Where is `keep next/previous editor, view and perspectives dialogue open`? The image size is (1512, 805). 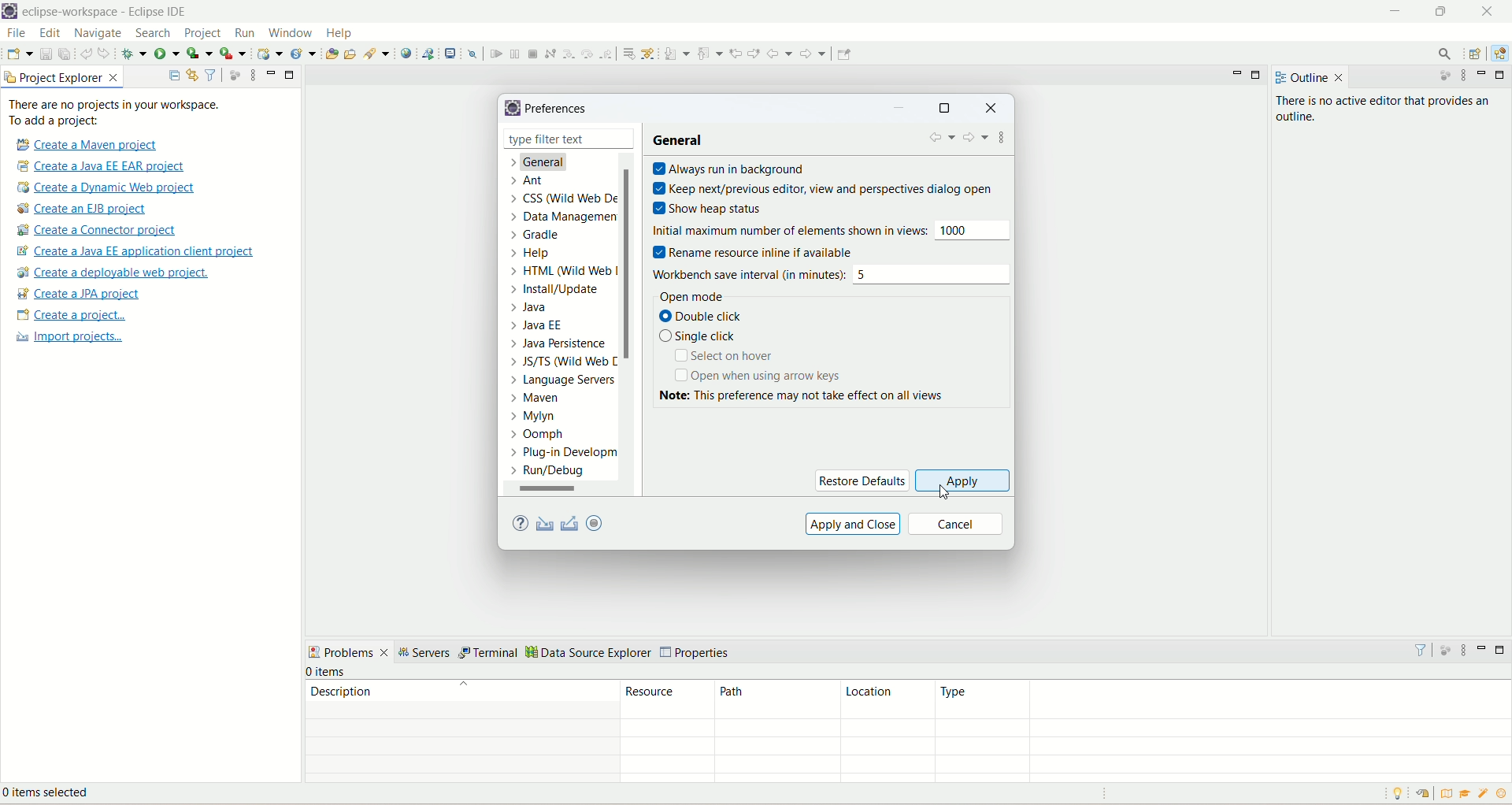
keep next/previous editor, view and perspectives dialogue open is located at coordinates (822, 187).